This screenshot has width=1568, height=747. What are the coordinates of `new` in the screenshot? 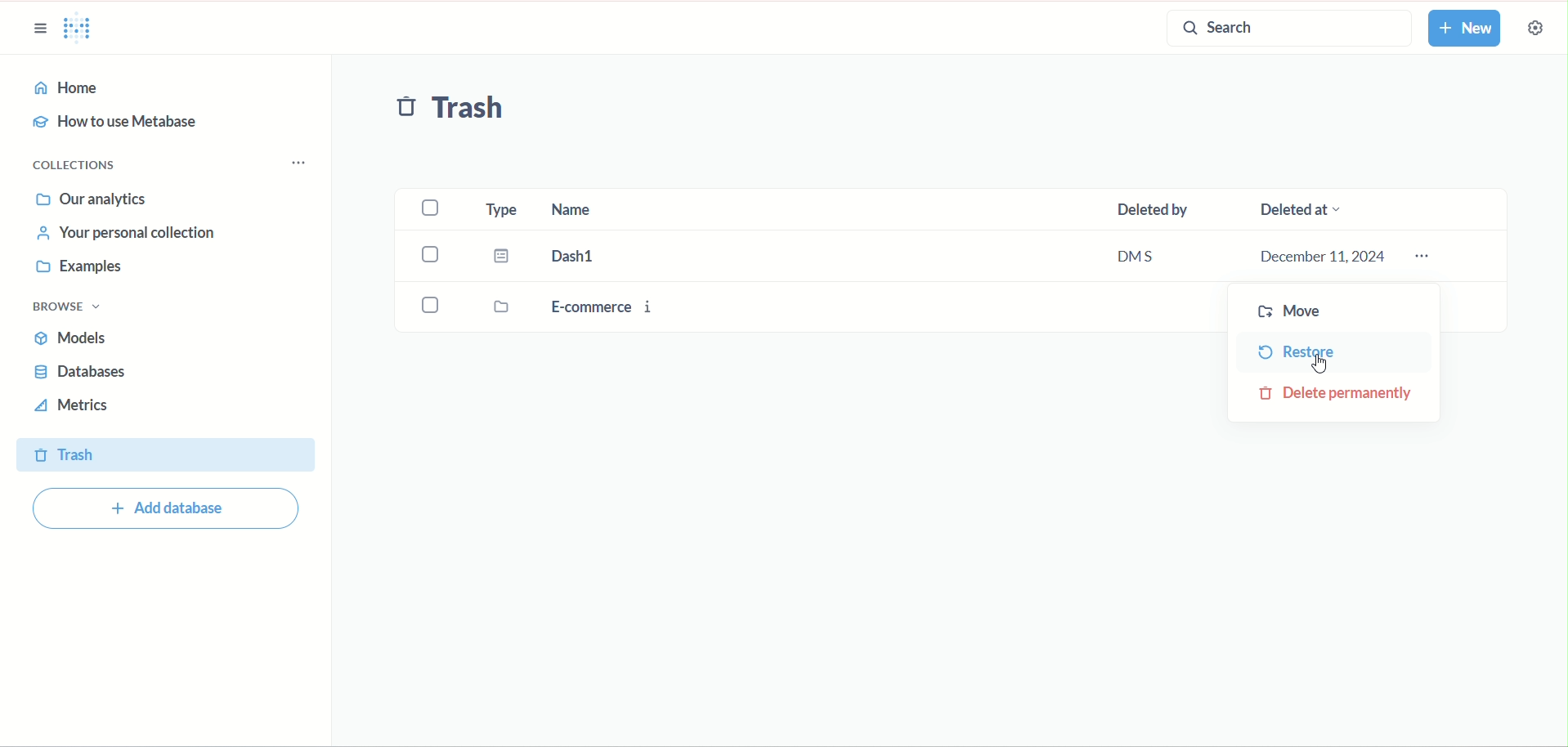 It's located at (1470, 29).